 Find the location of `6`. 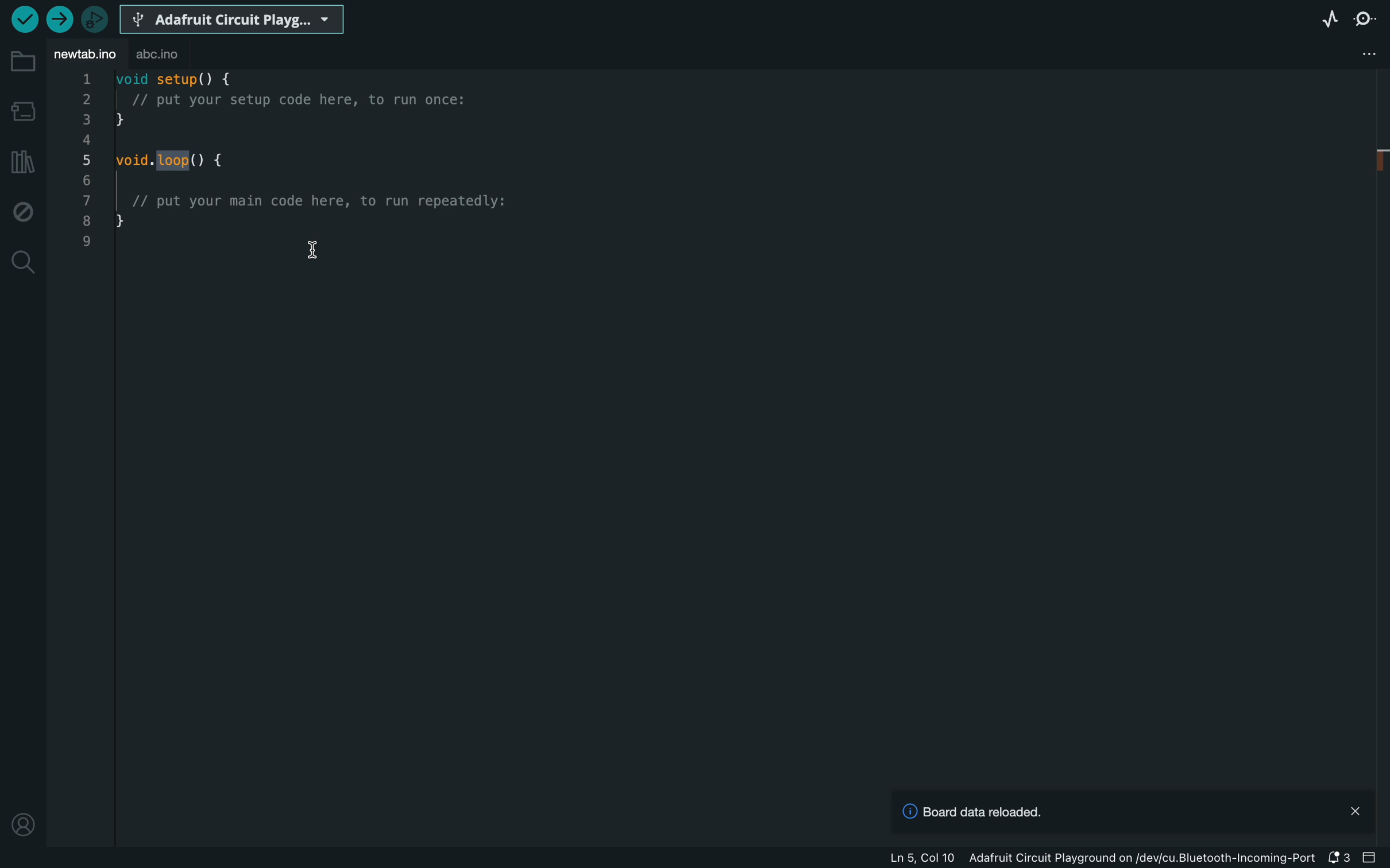

6 is located at coordinates (86, 180).